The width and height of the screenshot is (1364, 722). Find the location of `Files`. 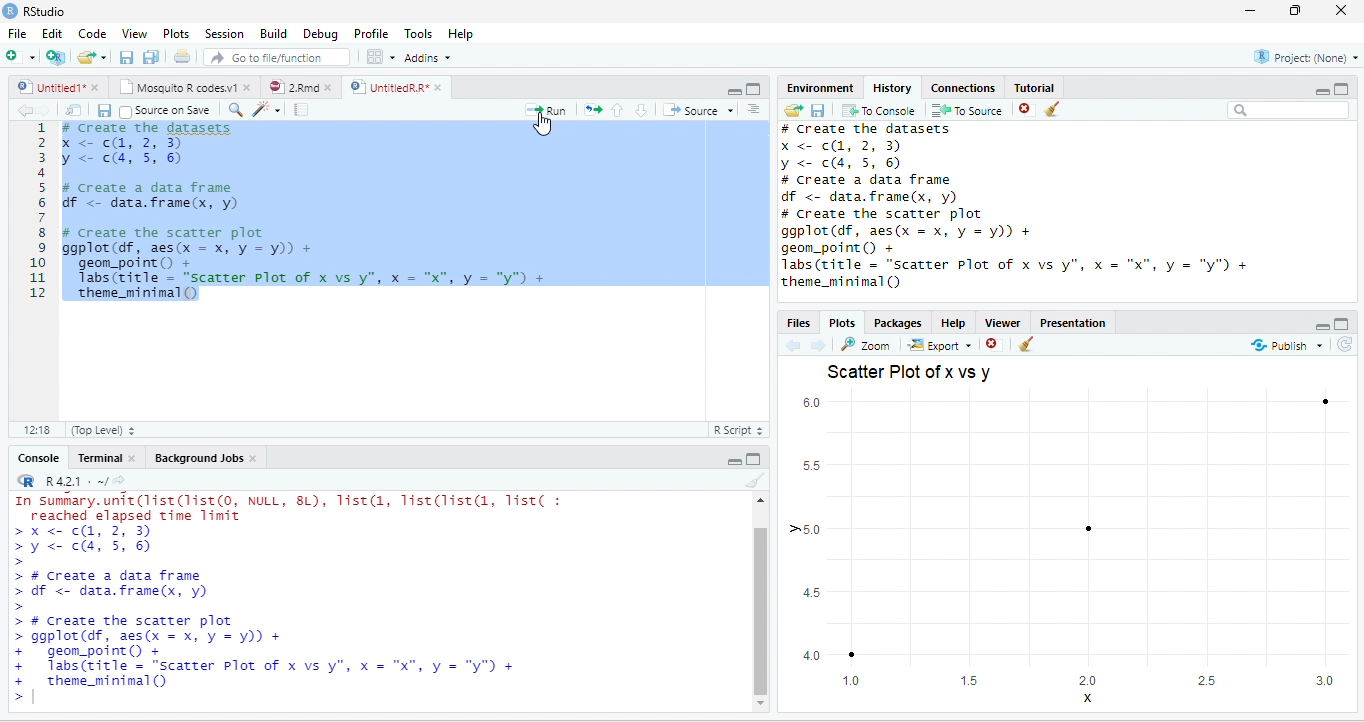

Files is located at coordinates (798, 322).